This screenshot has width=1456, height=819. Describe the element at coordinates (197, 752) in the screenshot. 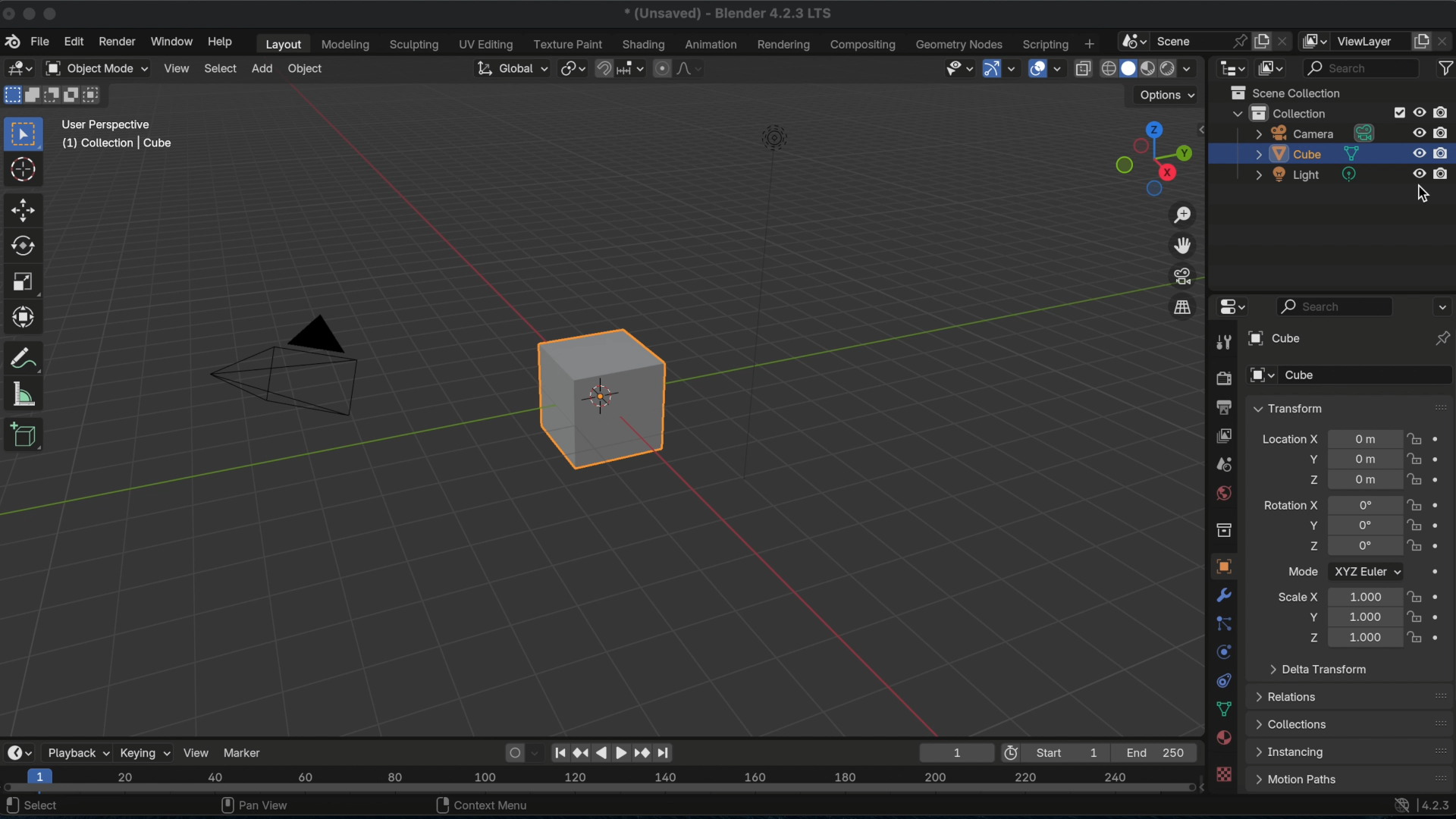

I see `view` at that location.